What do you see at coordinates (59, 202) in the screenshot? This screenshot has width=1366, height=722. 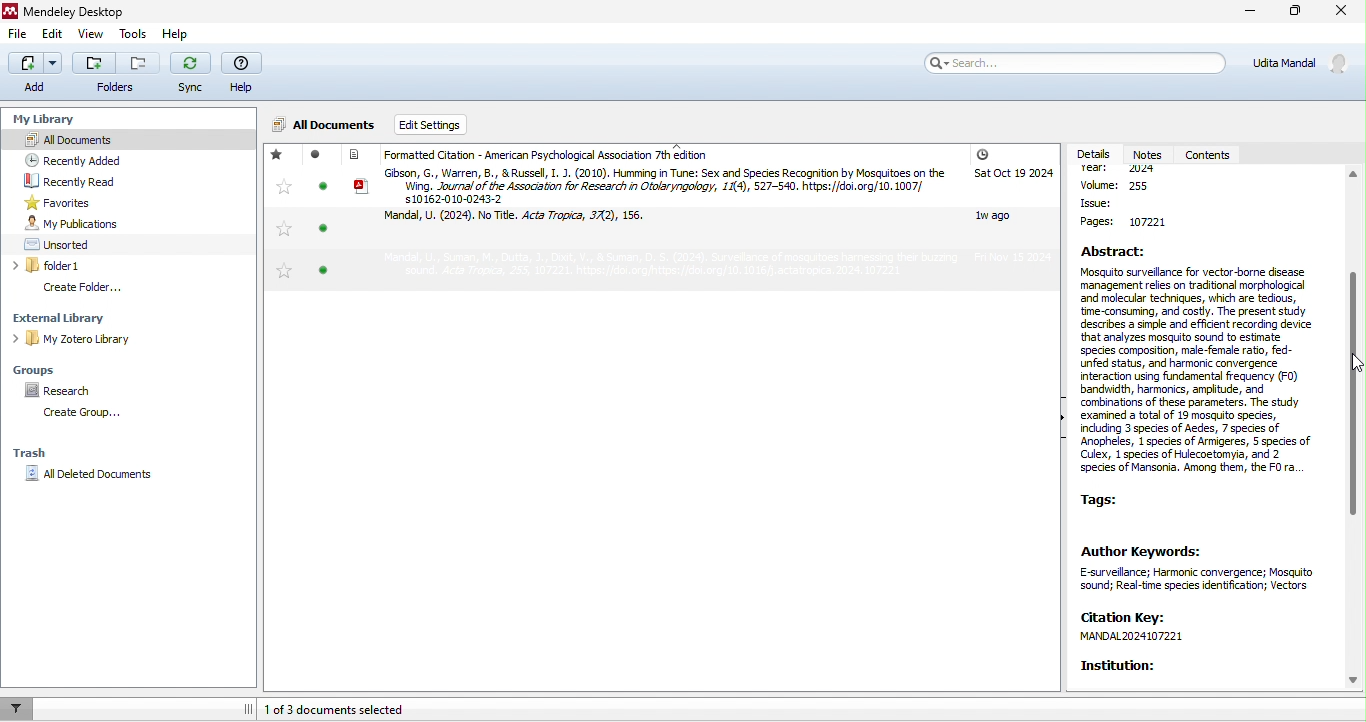 I see `favorites` at bounding box center [59, 202].